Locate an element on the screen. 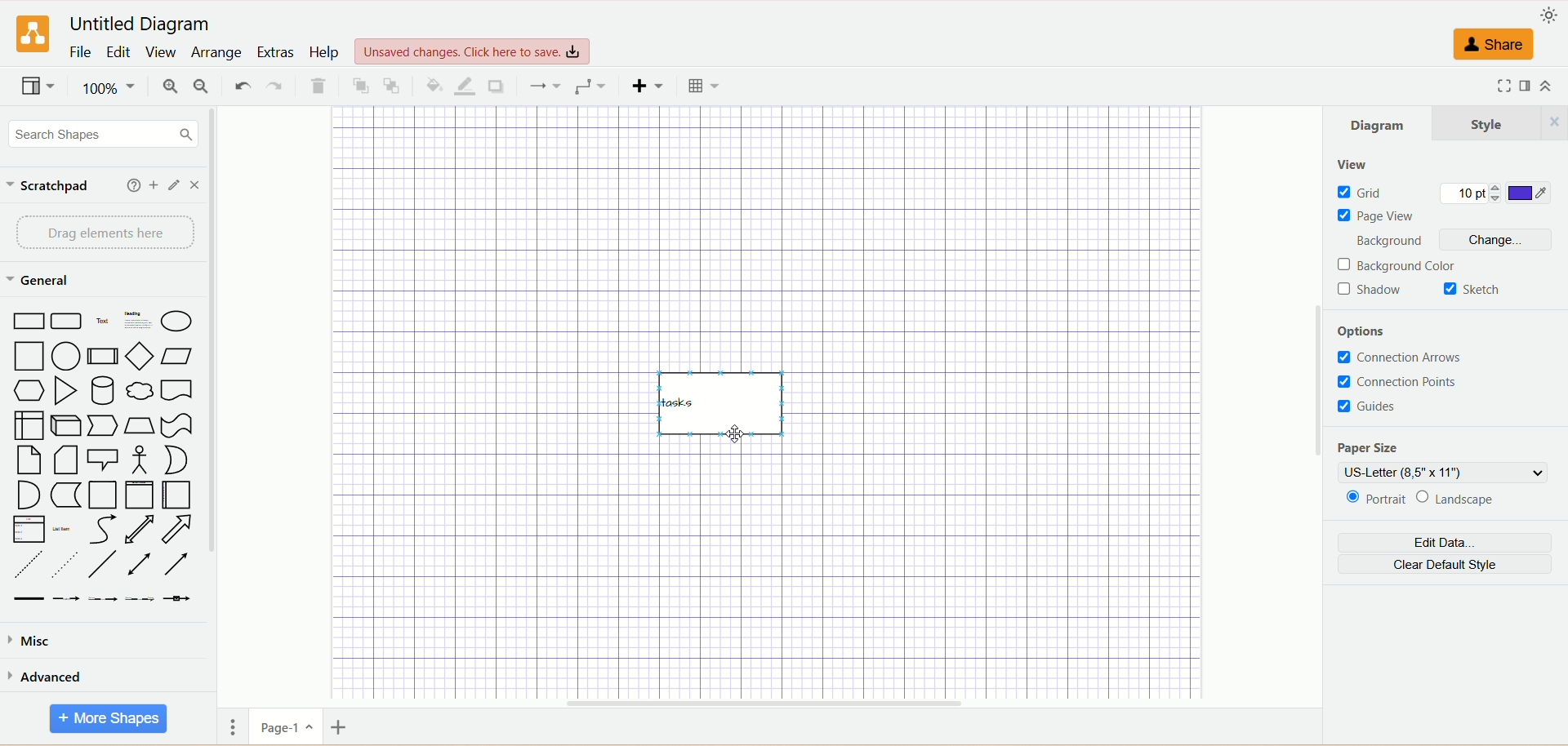 This screenshot has width=1568, height=746. Arrow with Double Break is located at coordinates (105, 601).